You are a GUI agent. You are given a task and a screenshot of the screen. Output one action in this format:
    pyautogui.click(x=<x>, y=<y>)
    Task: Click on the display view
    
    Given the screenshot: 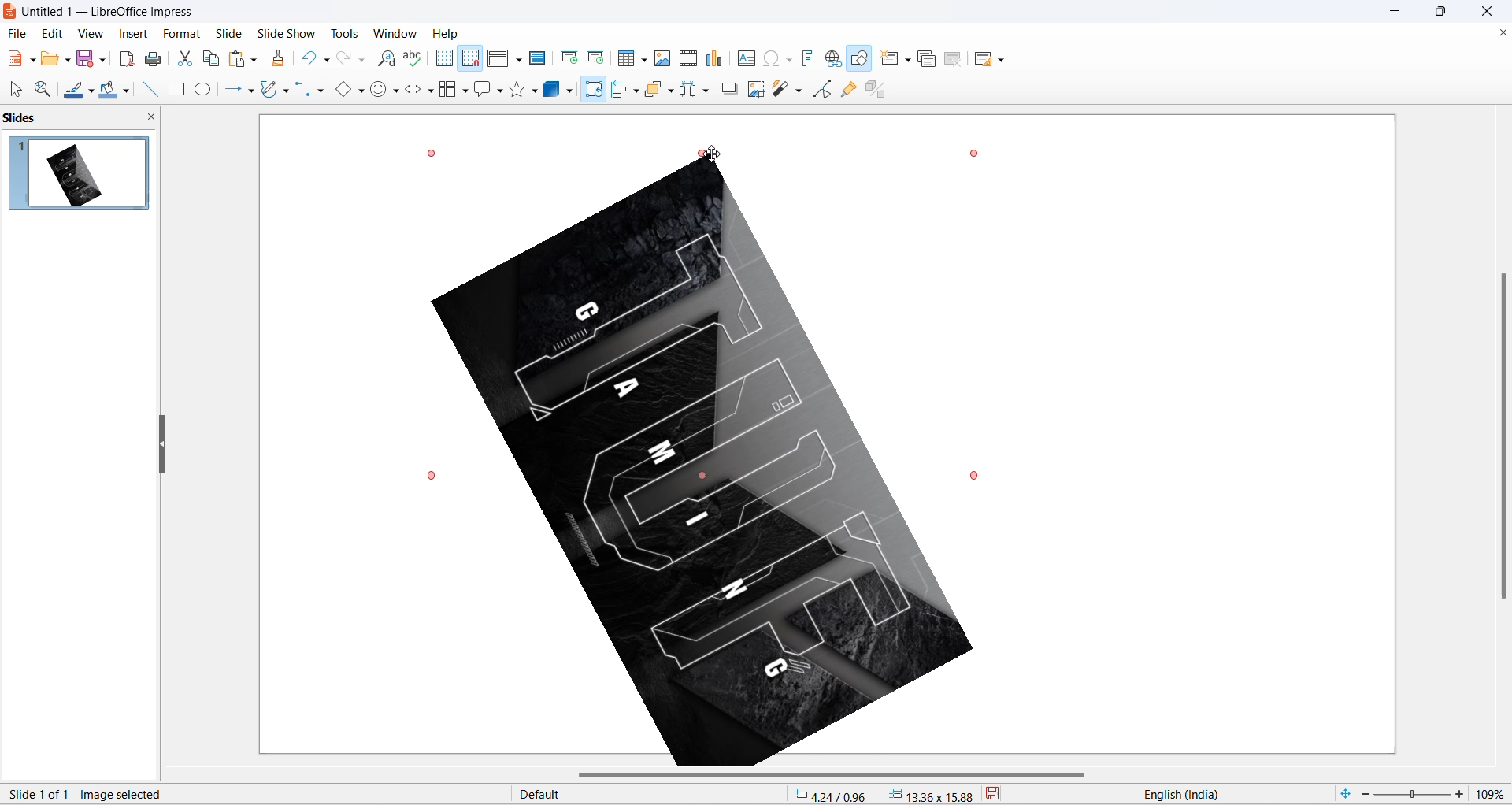 What is the action you would take?
    pyautogui.click(x=499, y=59)
    